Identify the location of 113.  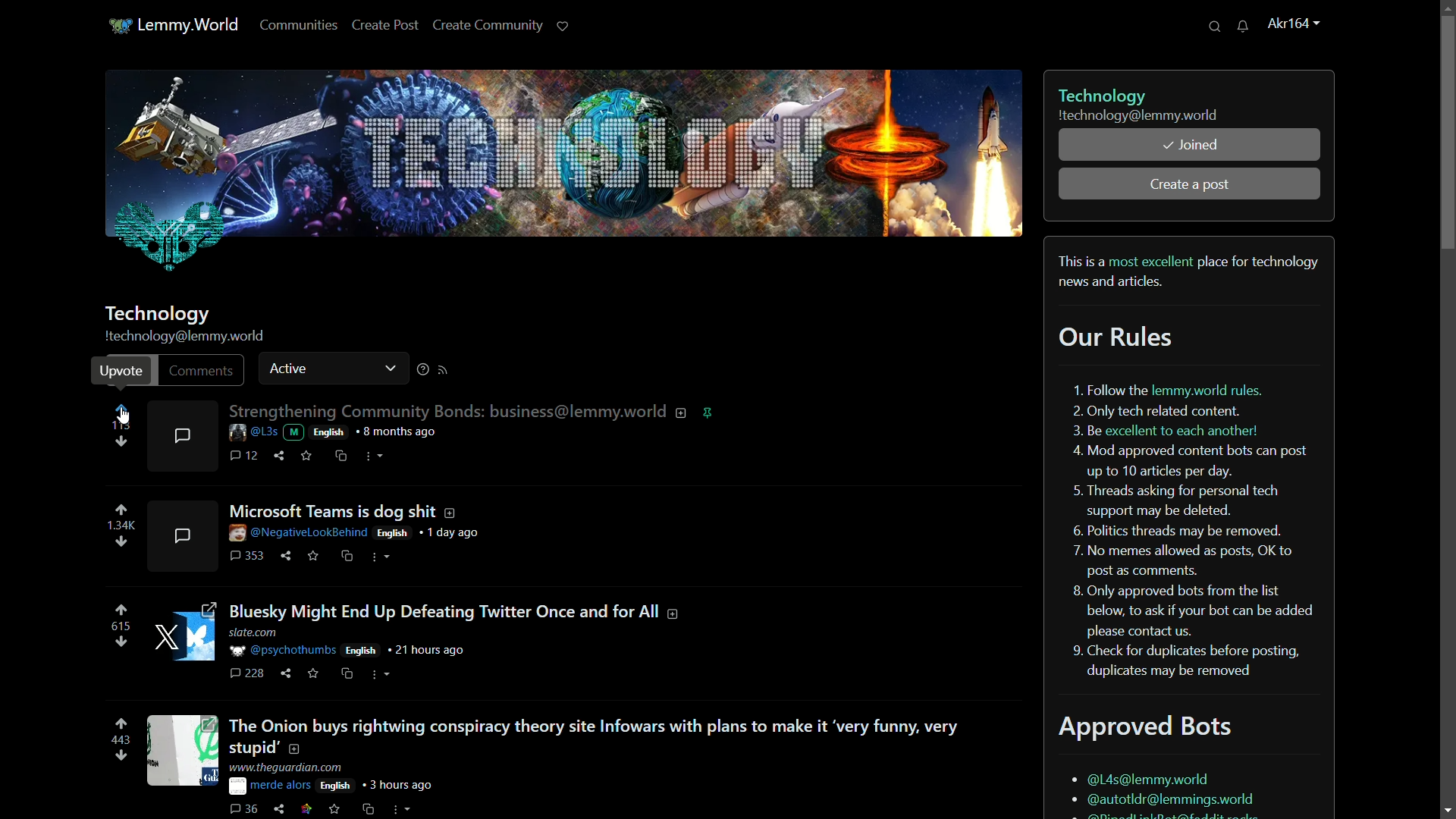
(122, 426).